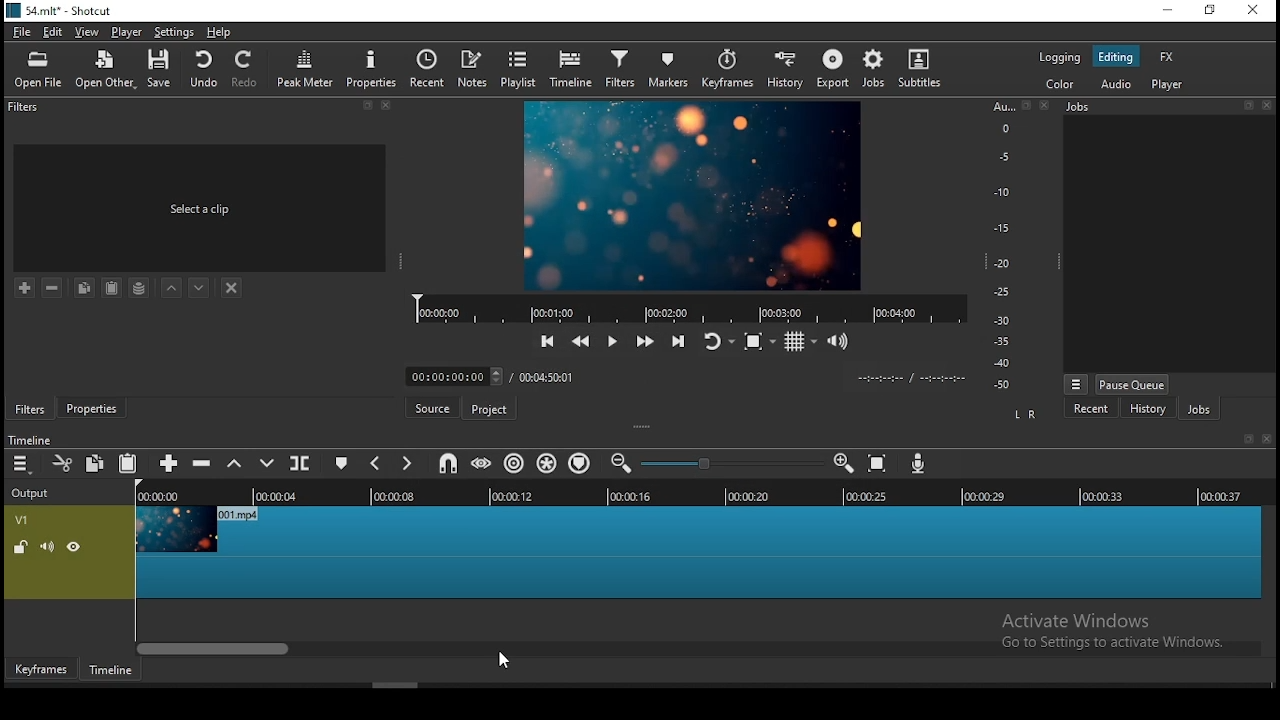  Describe the element at coordinates (170, 465) in the screenshot. I see `append` at that location.